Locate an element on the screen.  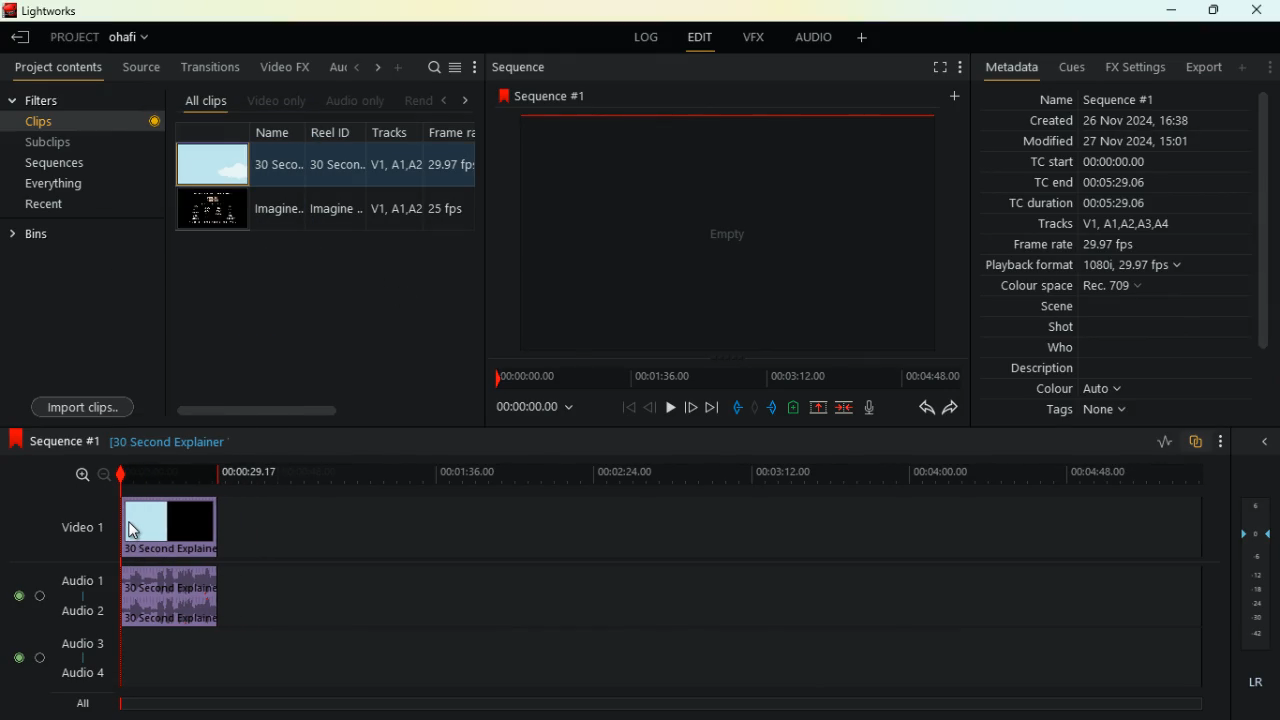
layers is located at coordinates (1254, 571).